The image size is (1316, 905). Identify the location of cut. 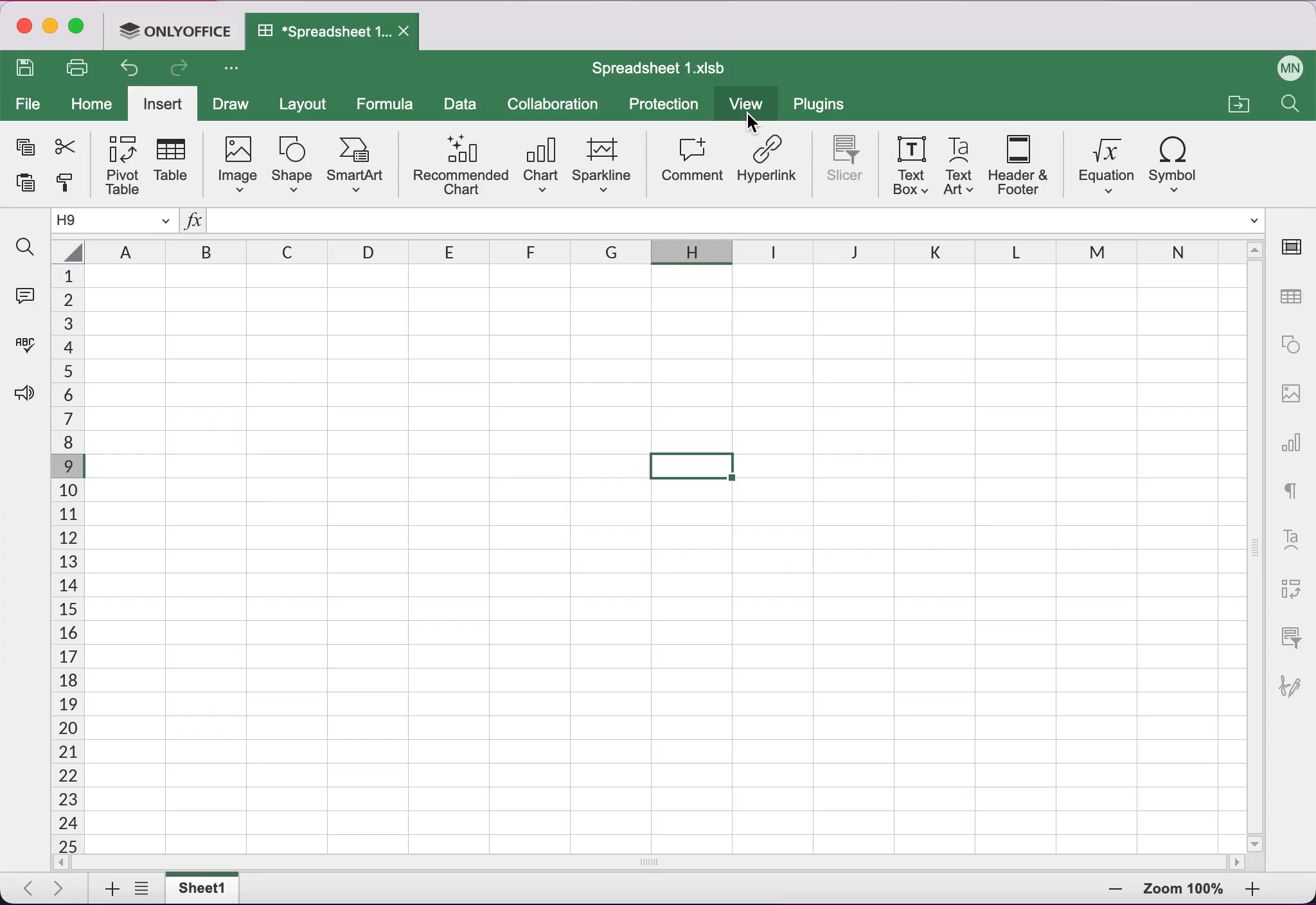
(69, 147).